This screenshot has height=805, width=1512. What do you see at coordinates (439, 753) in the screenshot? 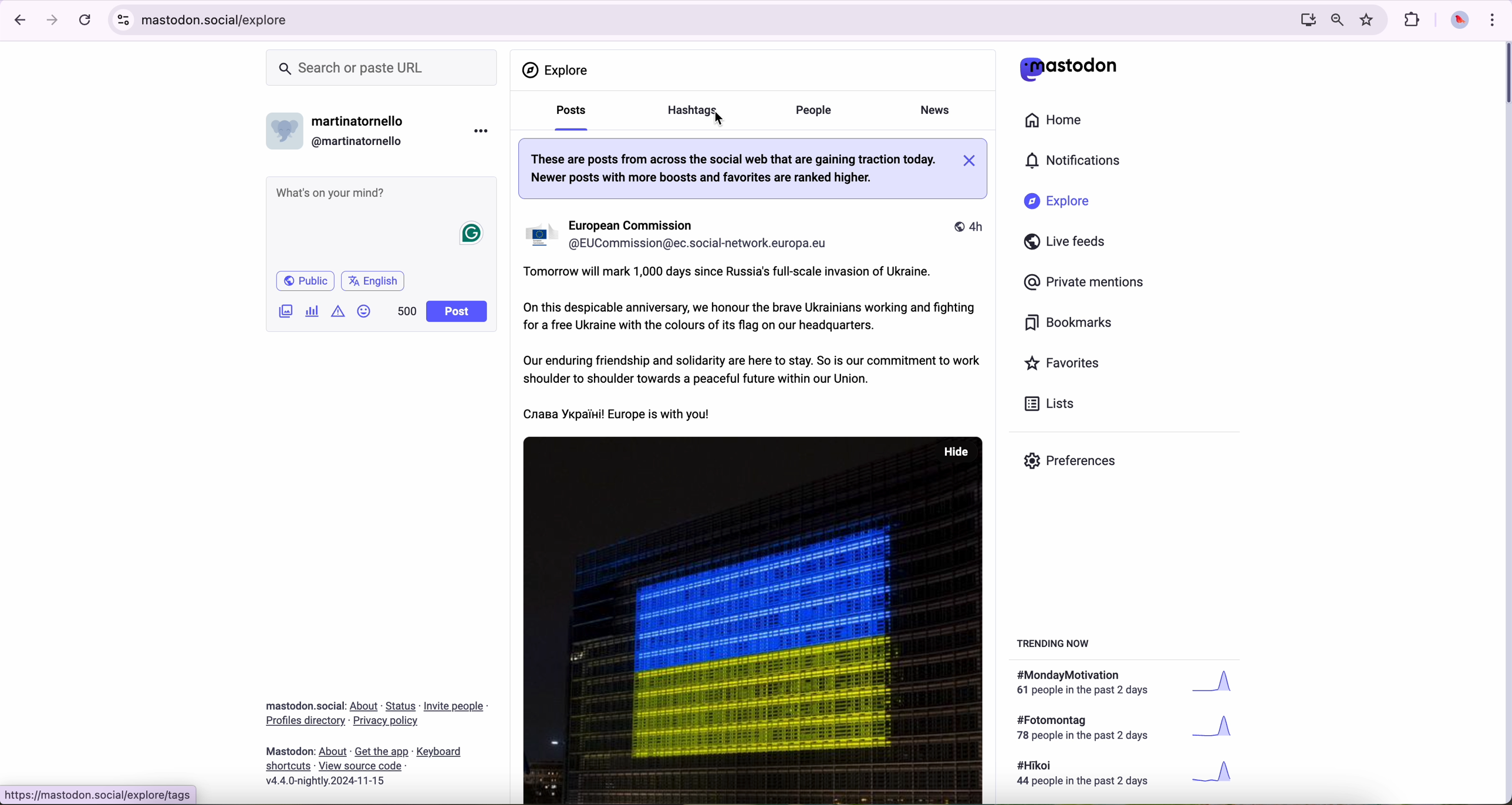
I see `link` at bounding box center [439, 753].